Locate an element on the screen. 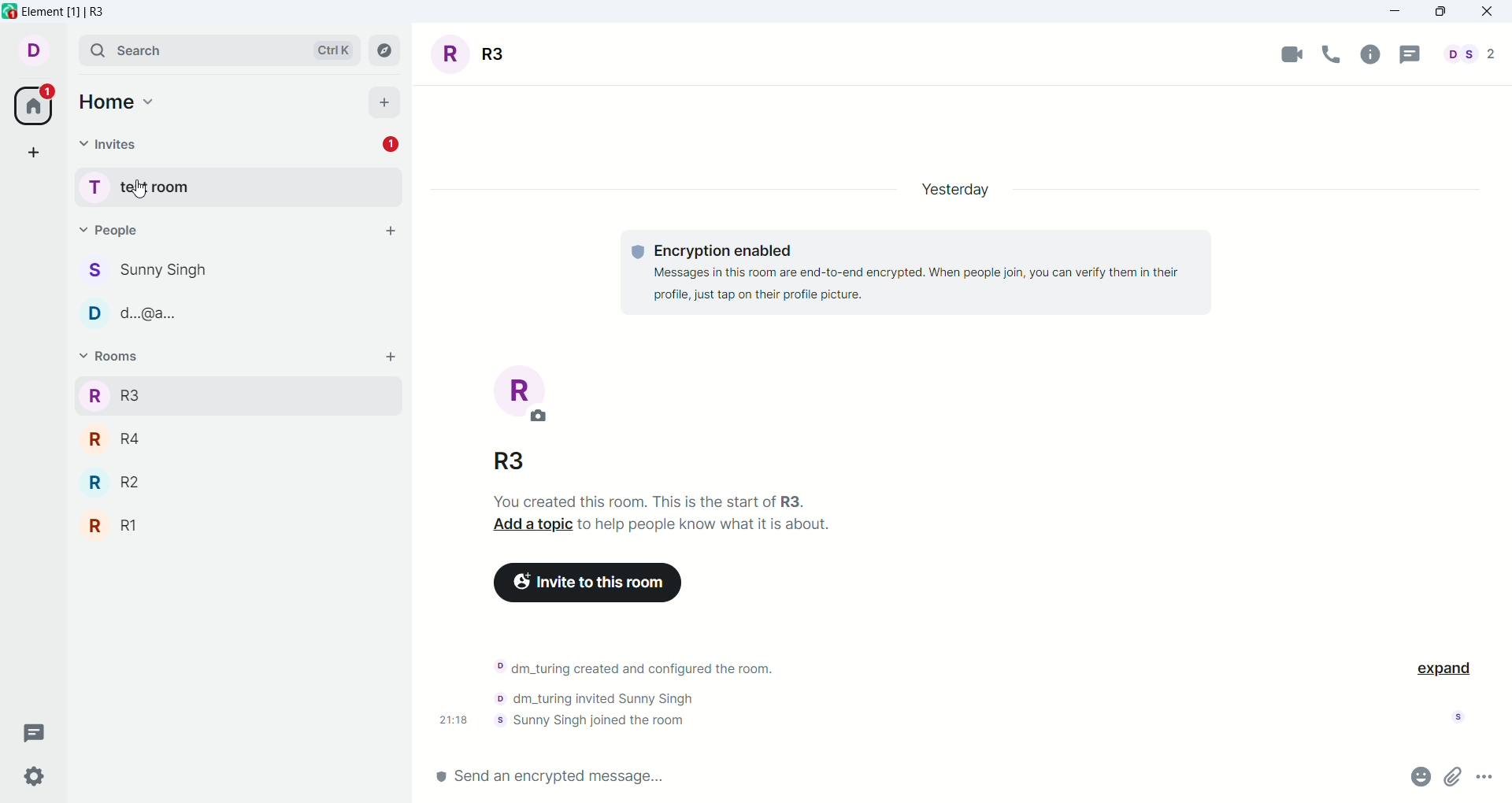 Image resolution: width=1512 pixels, height=803 pixels. voice call is located at coordinates (1332, 54).